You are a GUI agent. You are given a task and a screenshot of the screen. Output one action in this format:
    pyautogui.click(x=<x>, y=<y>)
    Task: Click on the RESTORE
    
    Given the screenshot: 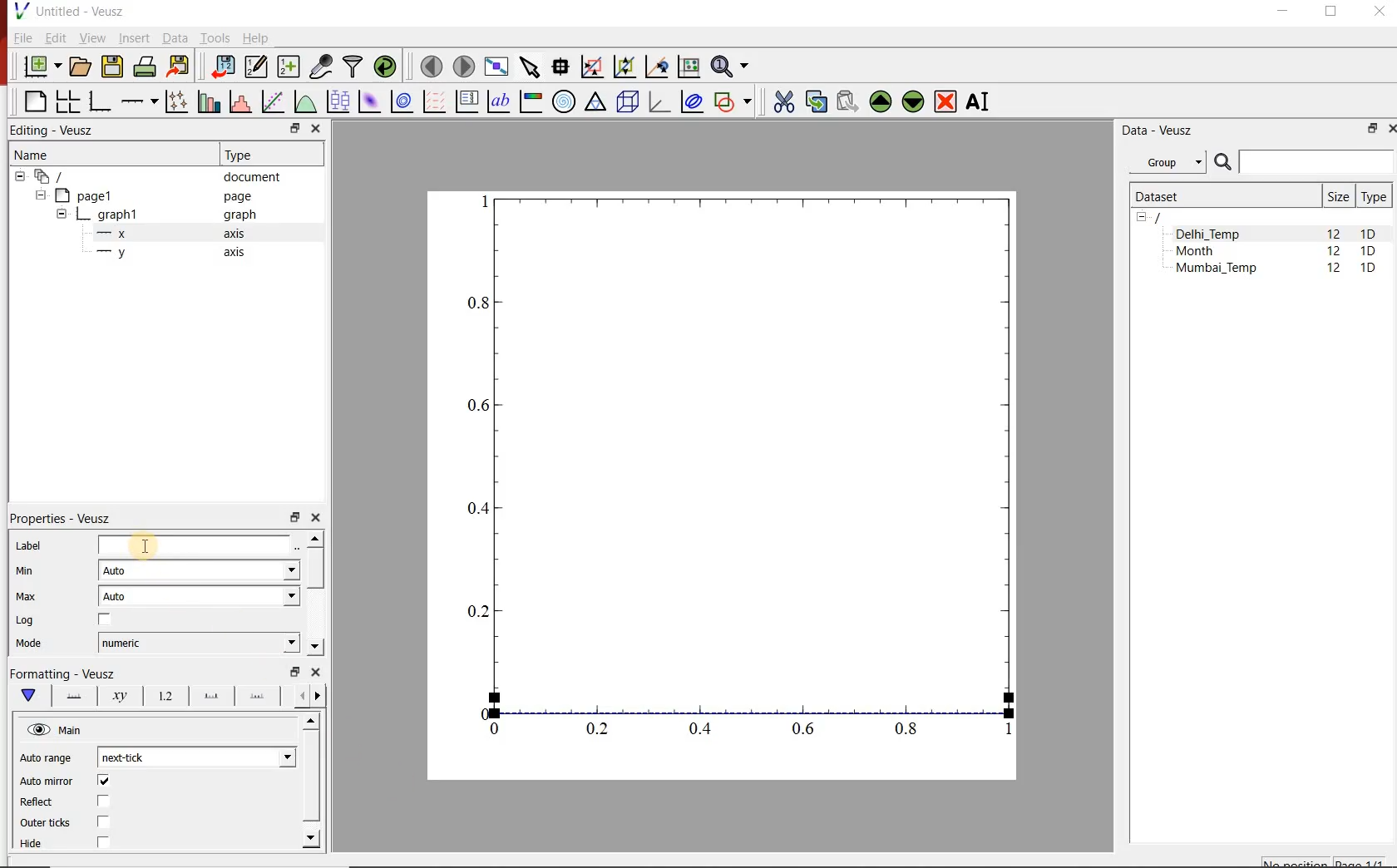 What is the action you would take?
    pyautogui.click(x=1331, y=12)
    